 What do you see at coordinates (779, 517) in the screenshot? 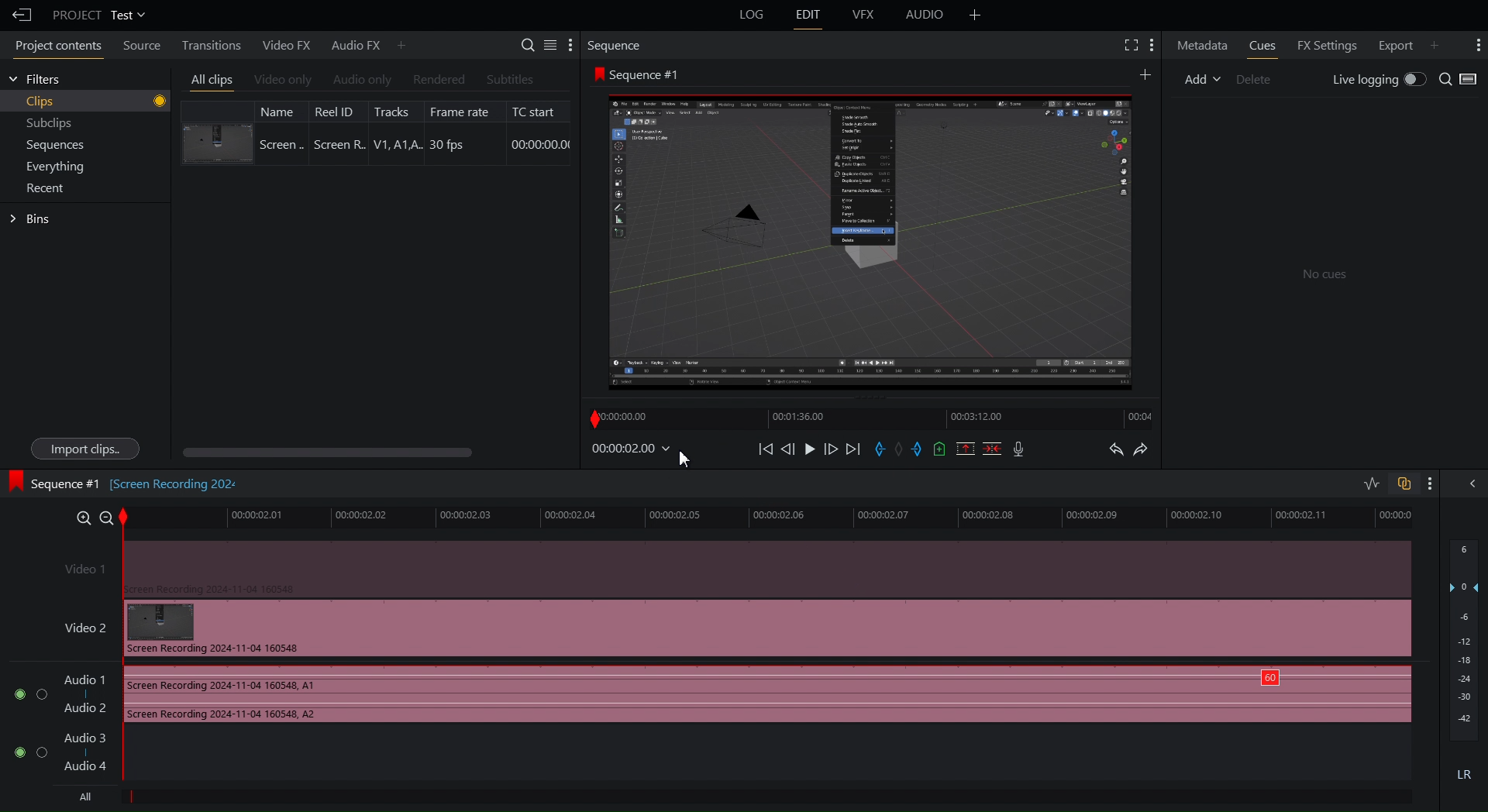
I see `Timeline` at bounding box center [779, 517].